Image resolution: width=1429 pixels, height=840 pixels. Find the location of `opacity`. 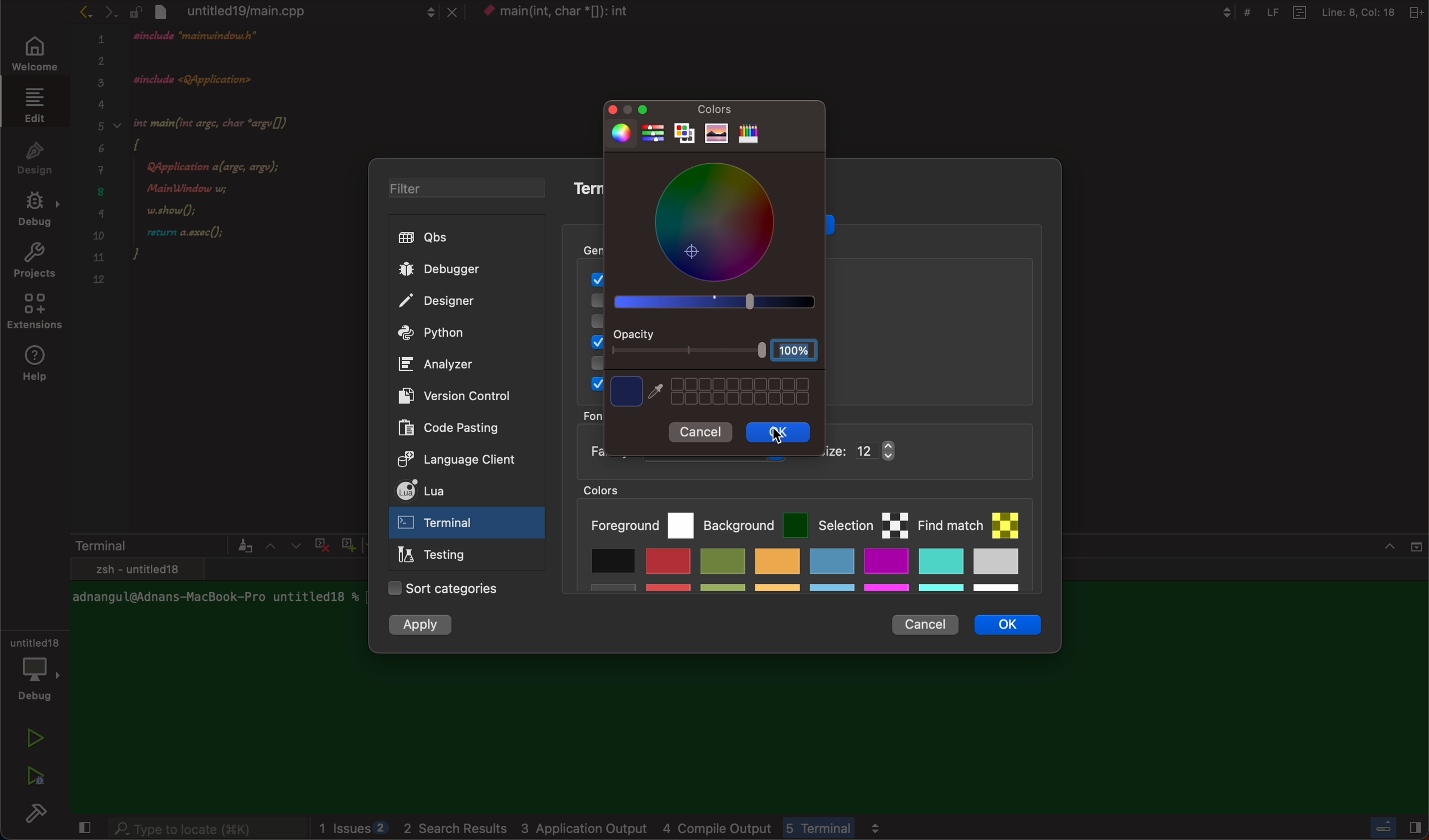

opacity is located at coordinates (717, 345).